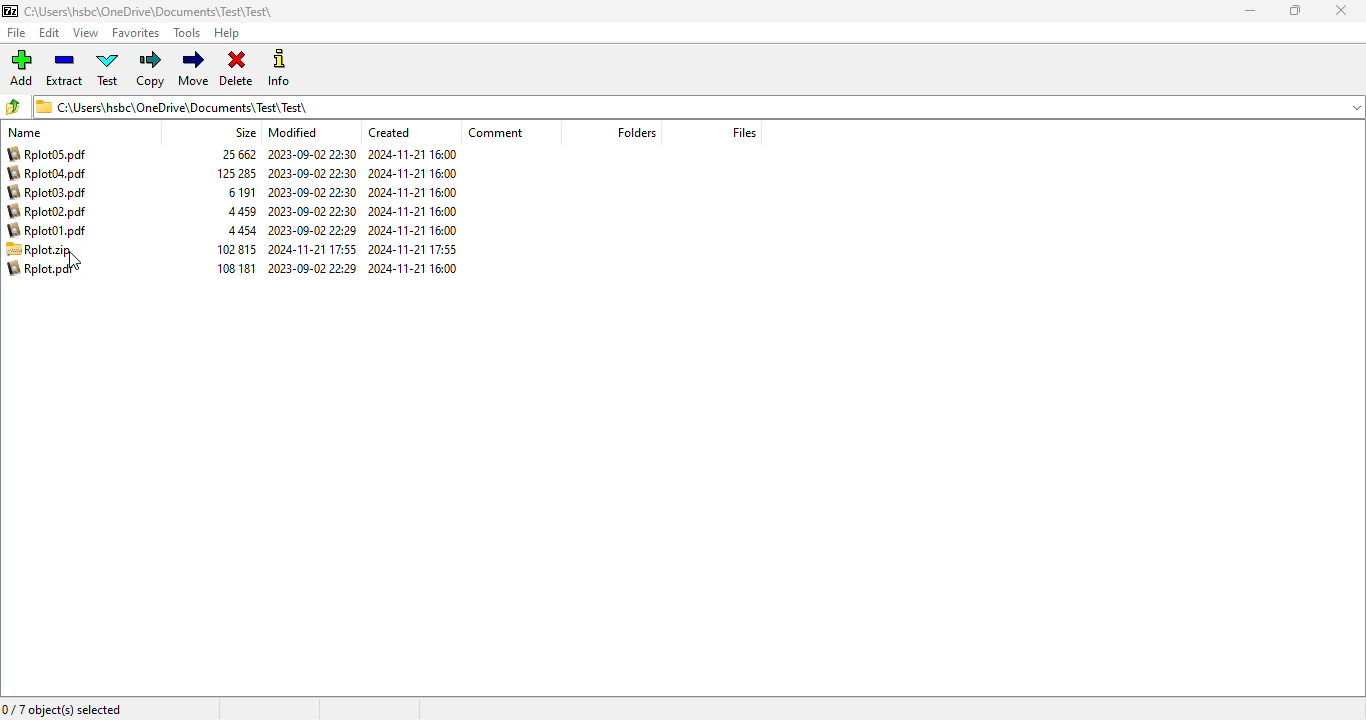  What do you see at coordinates (234, 211) in the screenshot?
I see `Rplot02.pdf 4459 2023-09-02 22:30 2024-11-21 16:00` at bounding box center [234, 211].